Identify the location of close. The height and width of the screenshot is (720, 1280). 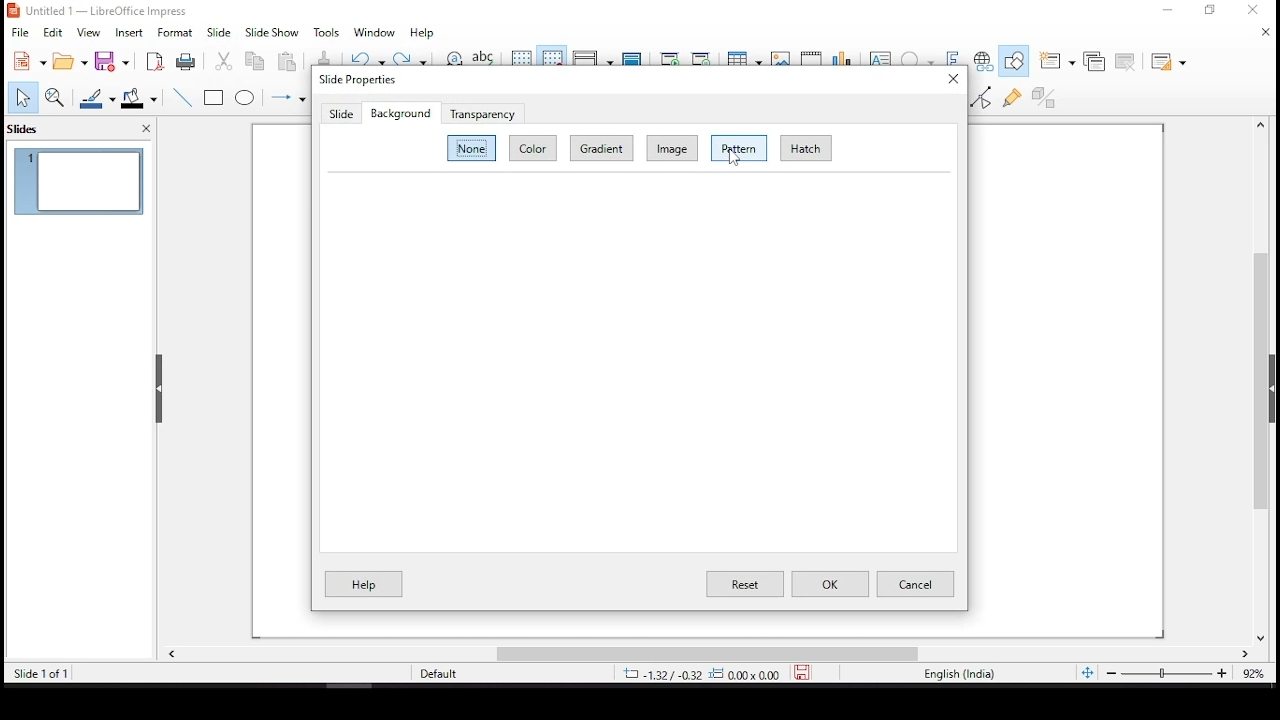
(1263, 31).